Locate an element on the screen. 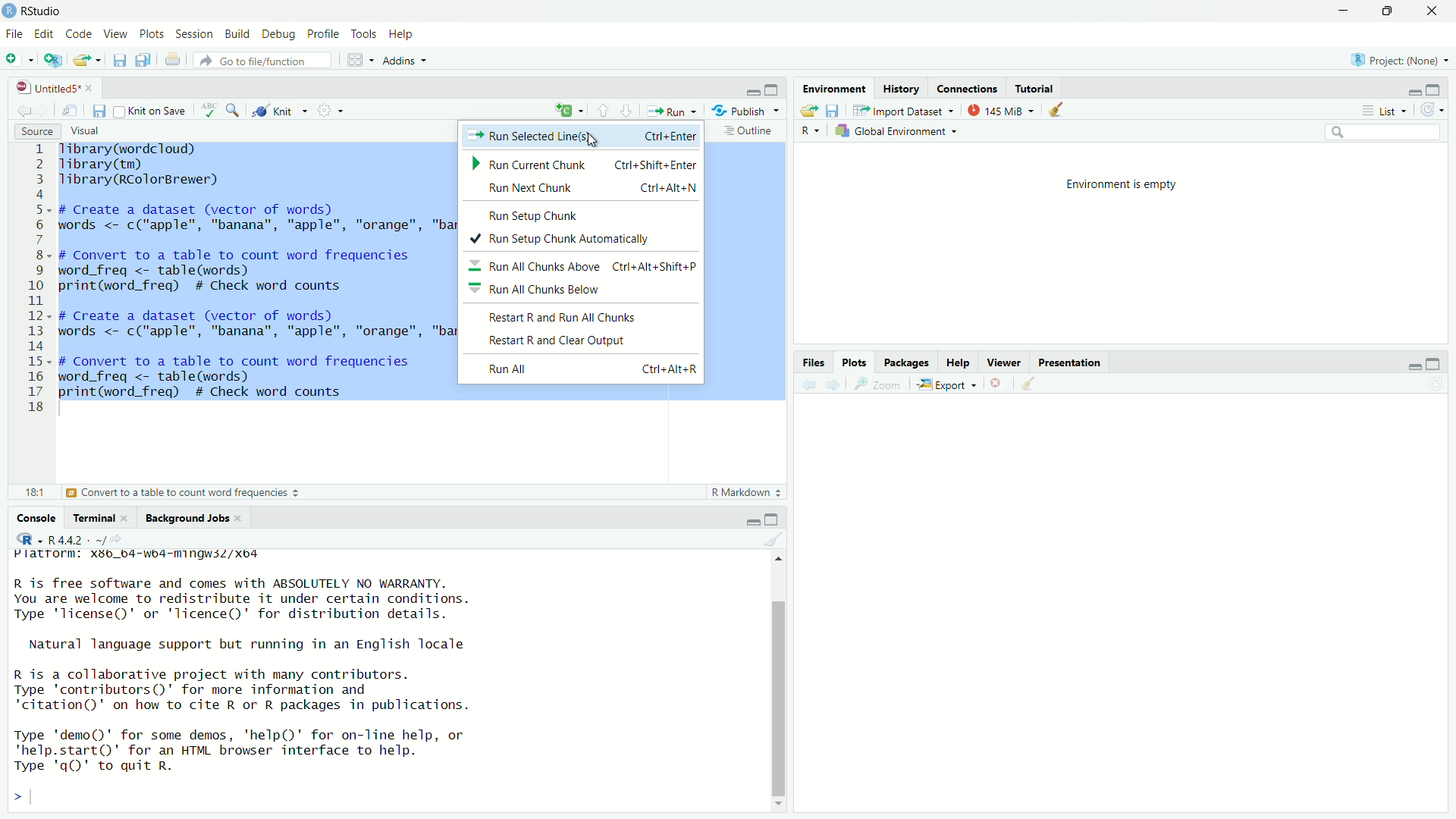  Outiline is located at coordinates (750, 130).